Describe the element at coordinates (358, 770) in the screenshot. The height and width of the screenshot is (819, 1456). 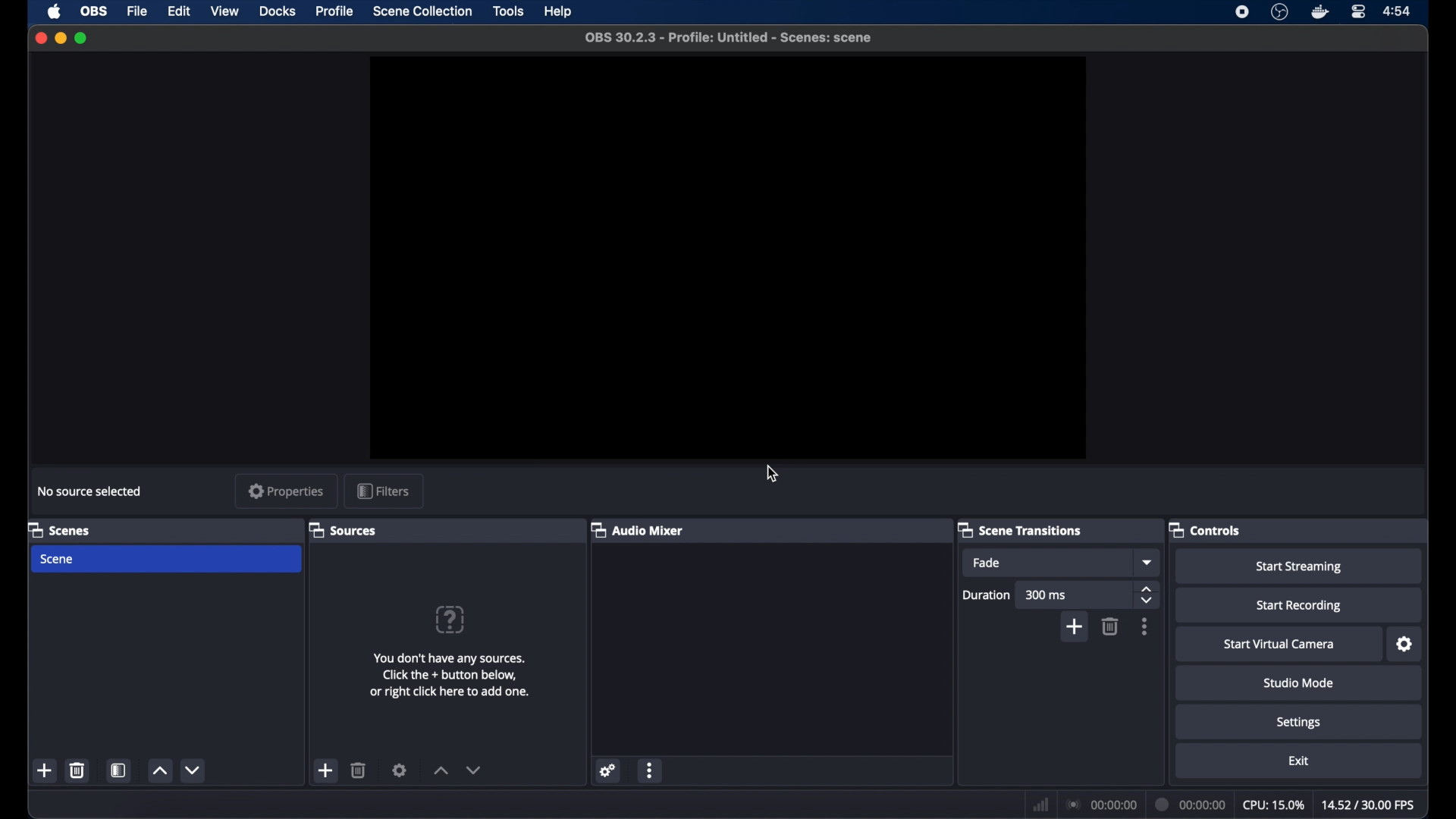
I see `trash` at that location.